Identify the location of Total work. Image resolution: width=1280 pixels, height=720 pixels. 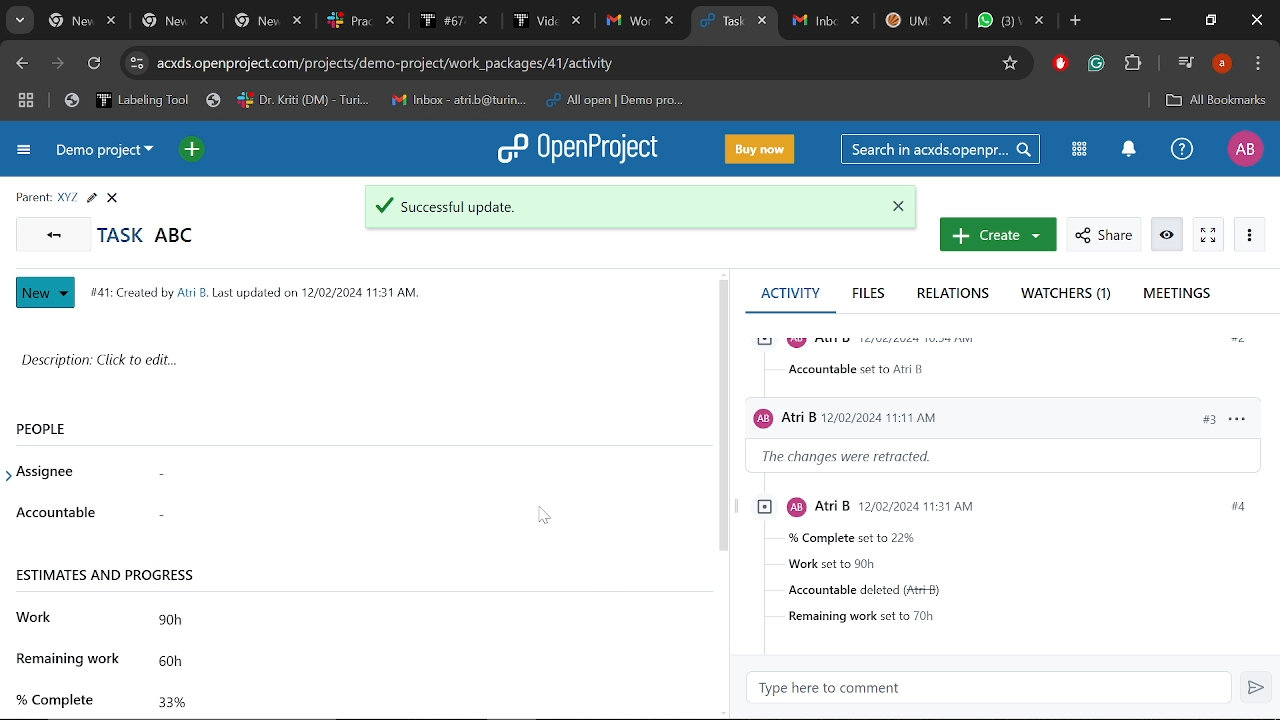
(171, 619).